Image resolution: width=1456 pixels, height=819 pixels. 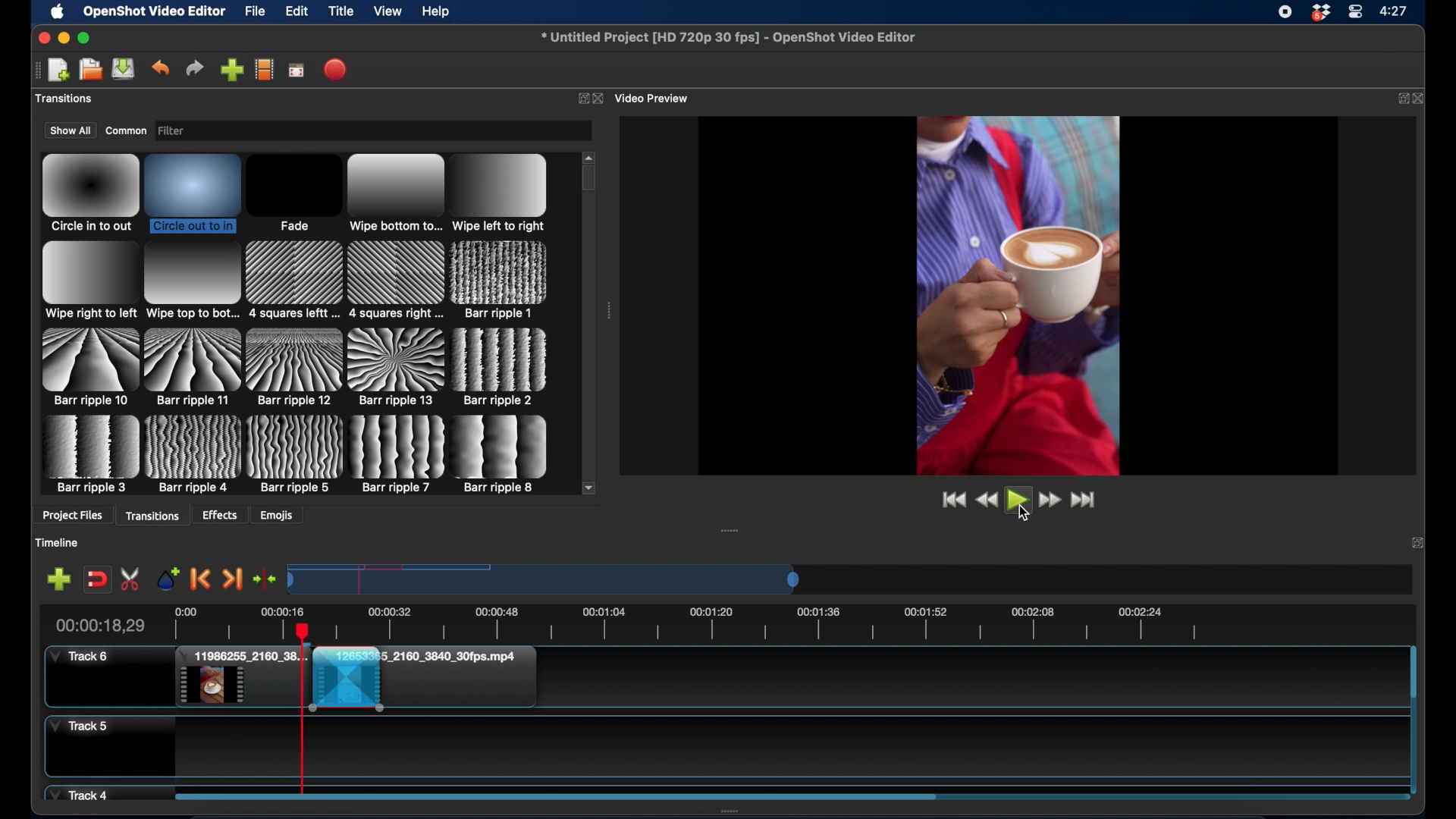 What do you see at coordinates (154, 515) in the screenshot?
I see `transitions` at bounding box center [154, 515].